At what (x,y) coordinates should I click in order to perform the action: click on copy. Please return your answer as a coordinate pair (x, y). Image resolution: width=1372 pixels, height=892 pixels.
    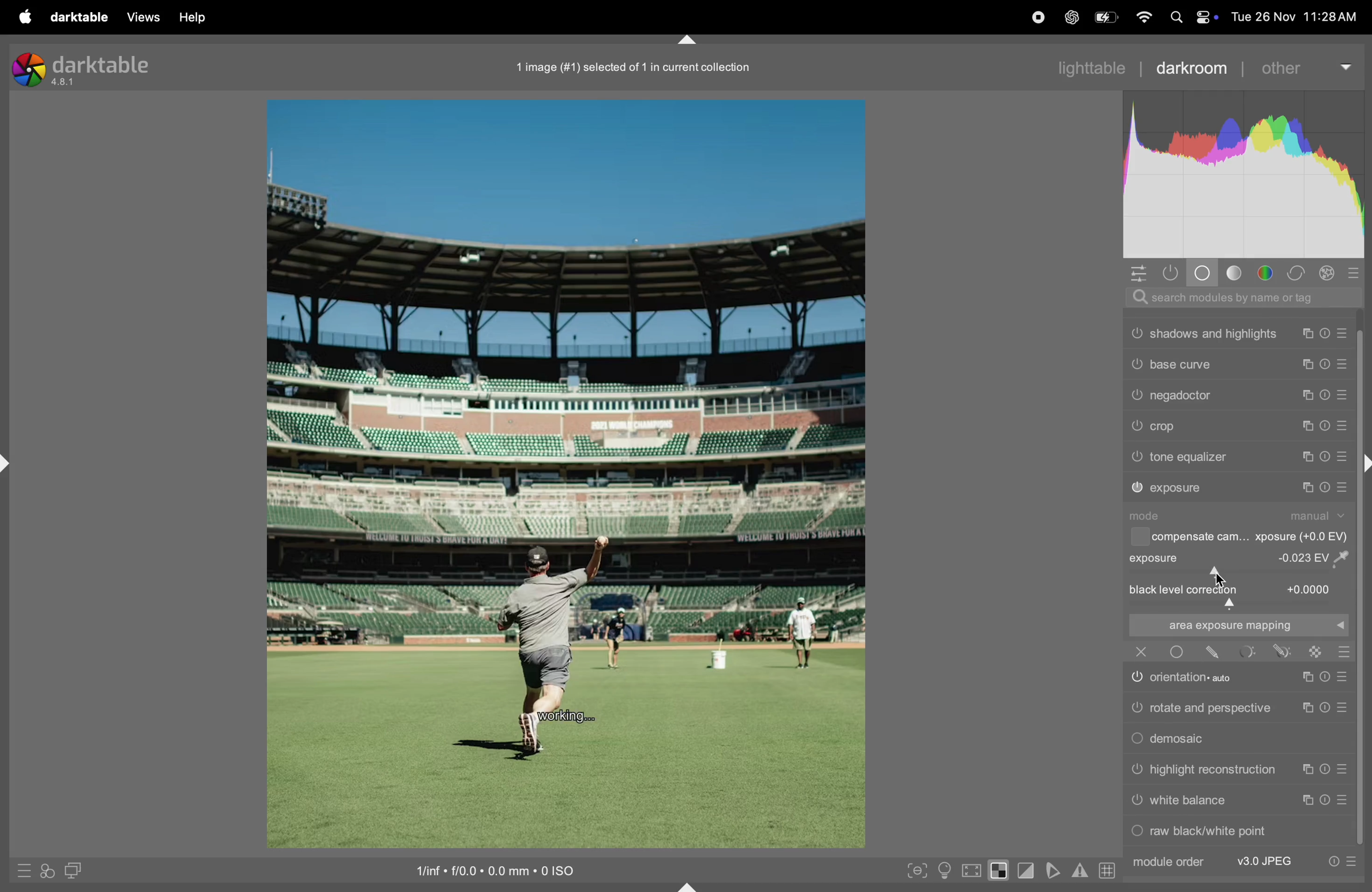
    Looking at the image, I should click on (1310, 425).